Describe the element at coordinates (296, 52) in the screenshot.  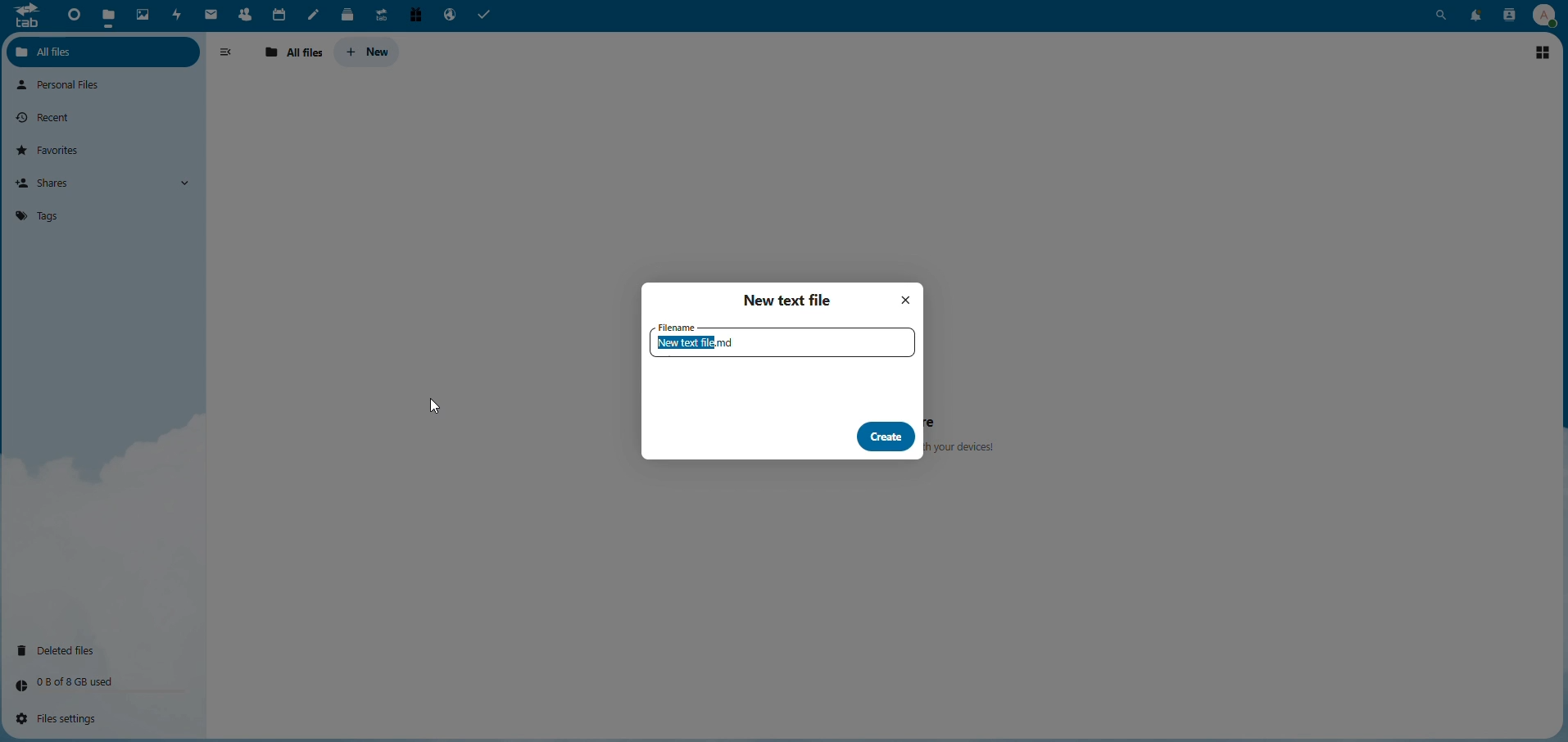
I see `All Files` at that location.